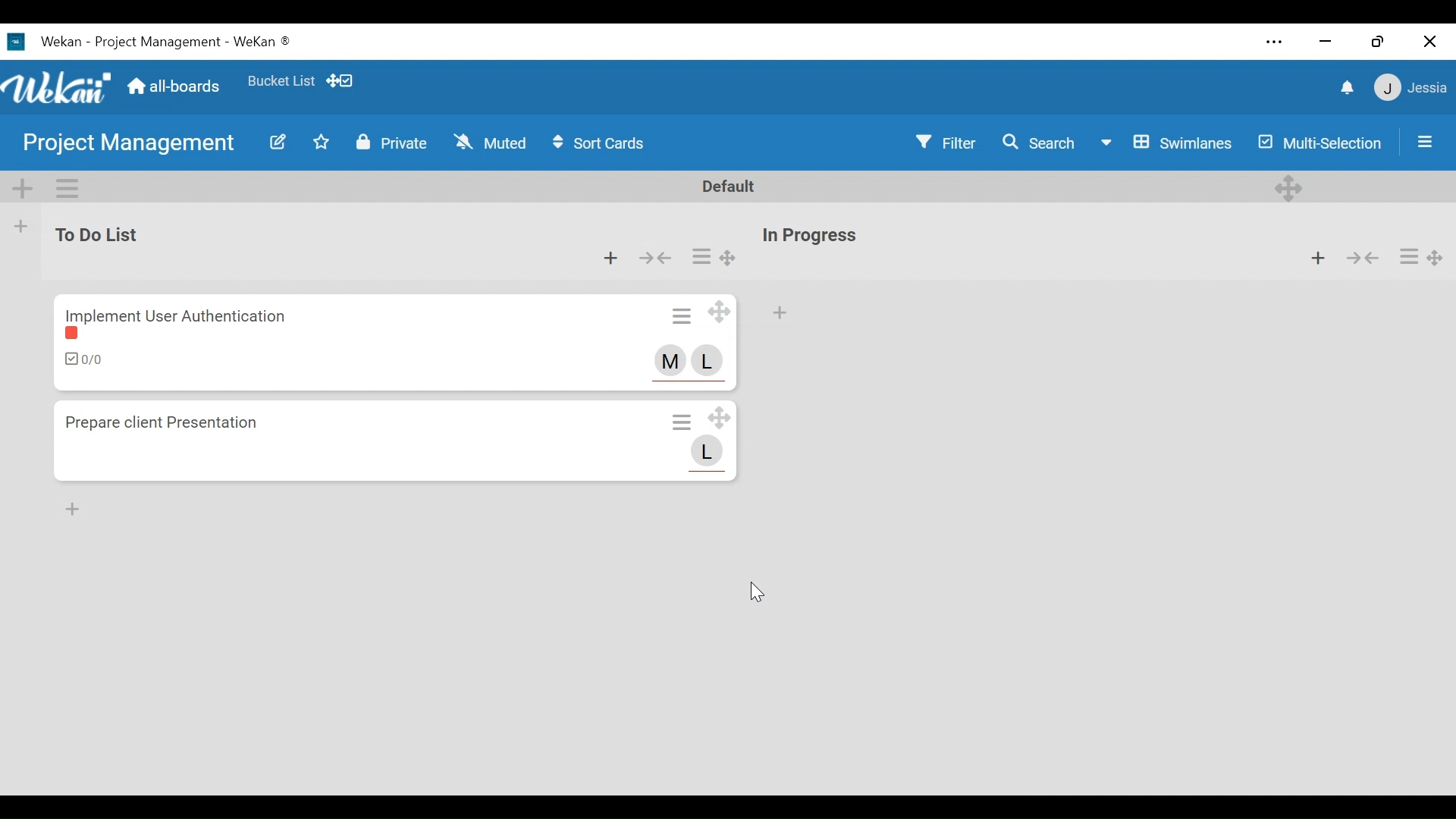 The width and height of the screenshot is (1456, 819). What do you see at coordinates (1318, 258) in the screenshot?
I see `Add card to top of the list` at bounding box center [1318, 258].